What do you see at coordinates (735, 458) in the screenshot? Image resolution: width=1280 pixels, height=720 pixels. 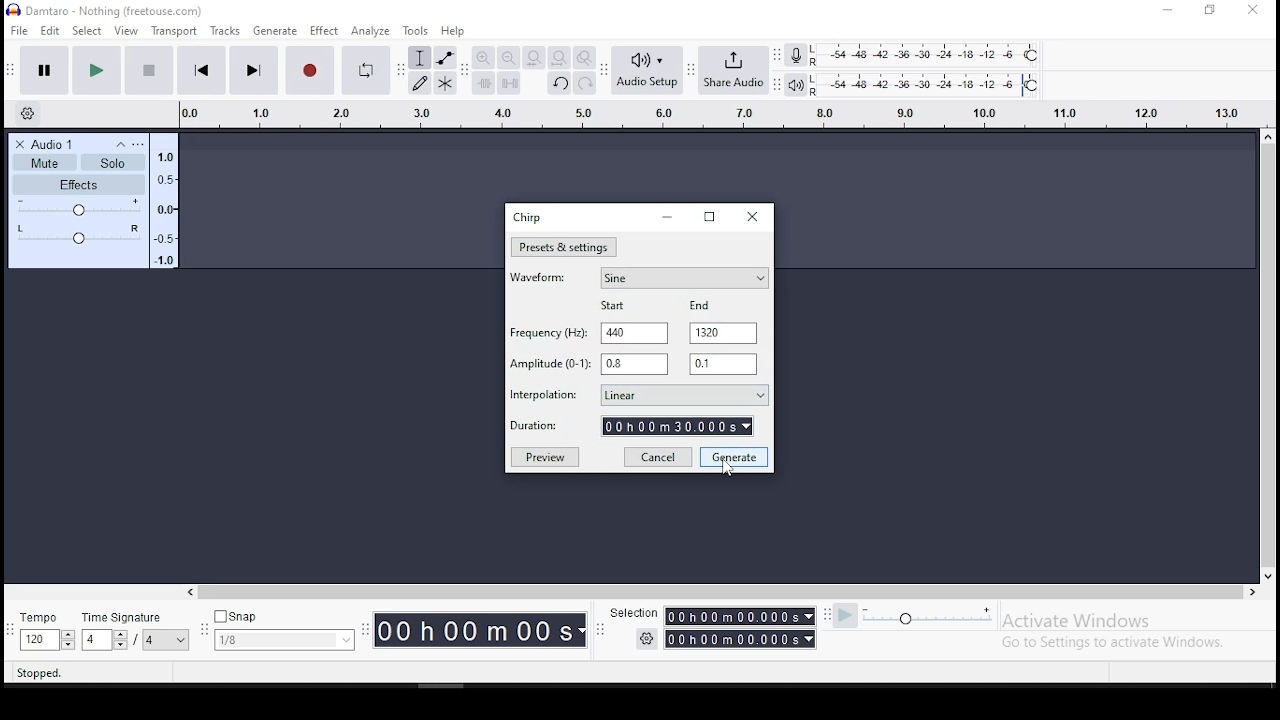 I see `generate` at bounding box center [735, 458].